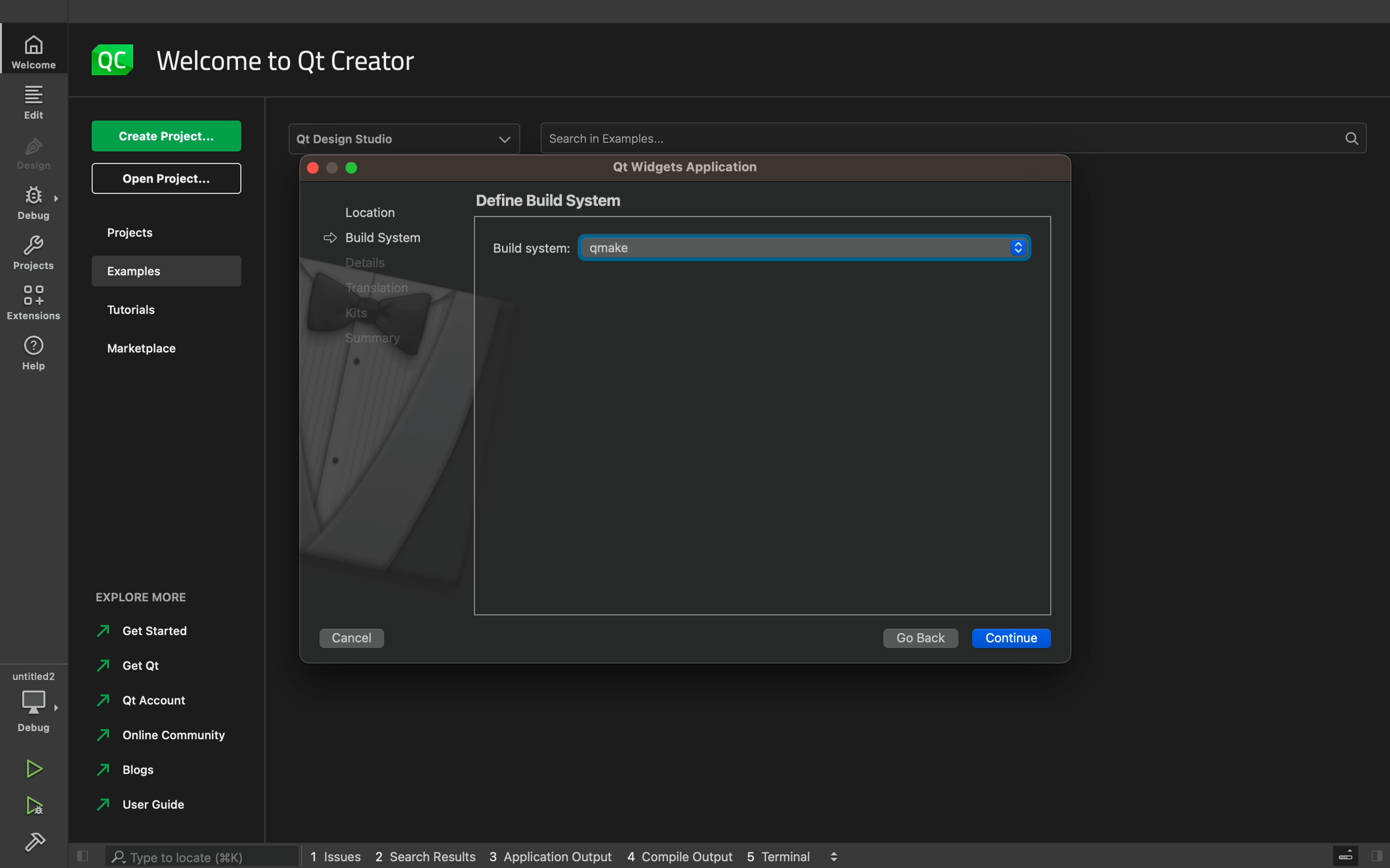  I want to click on location, so click(364, 212).